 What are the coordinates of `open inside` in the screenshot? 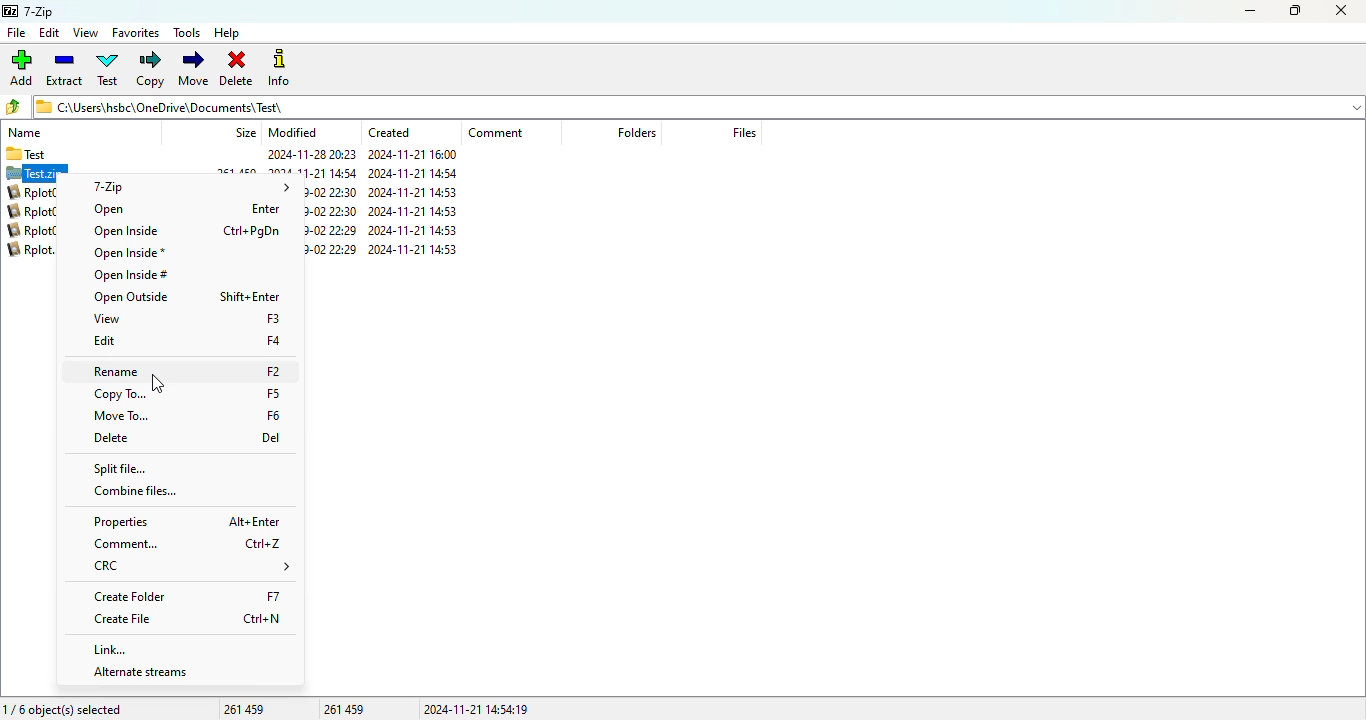 It's located at (124, 231).